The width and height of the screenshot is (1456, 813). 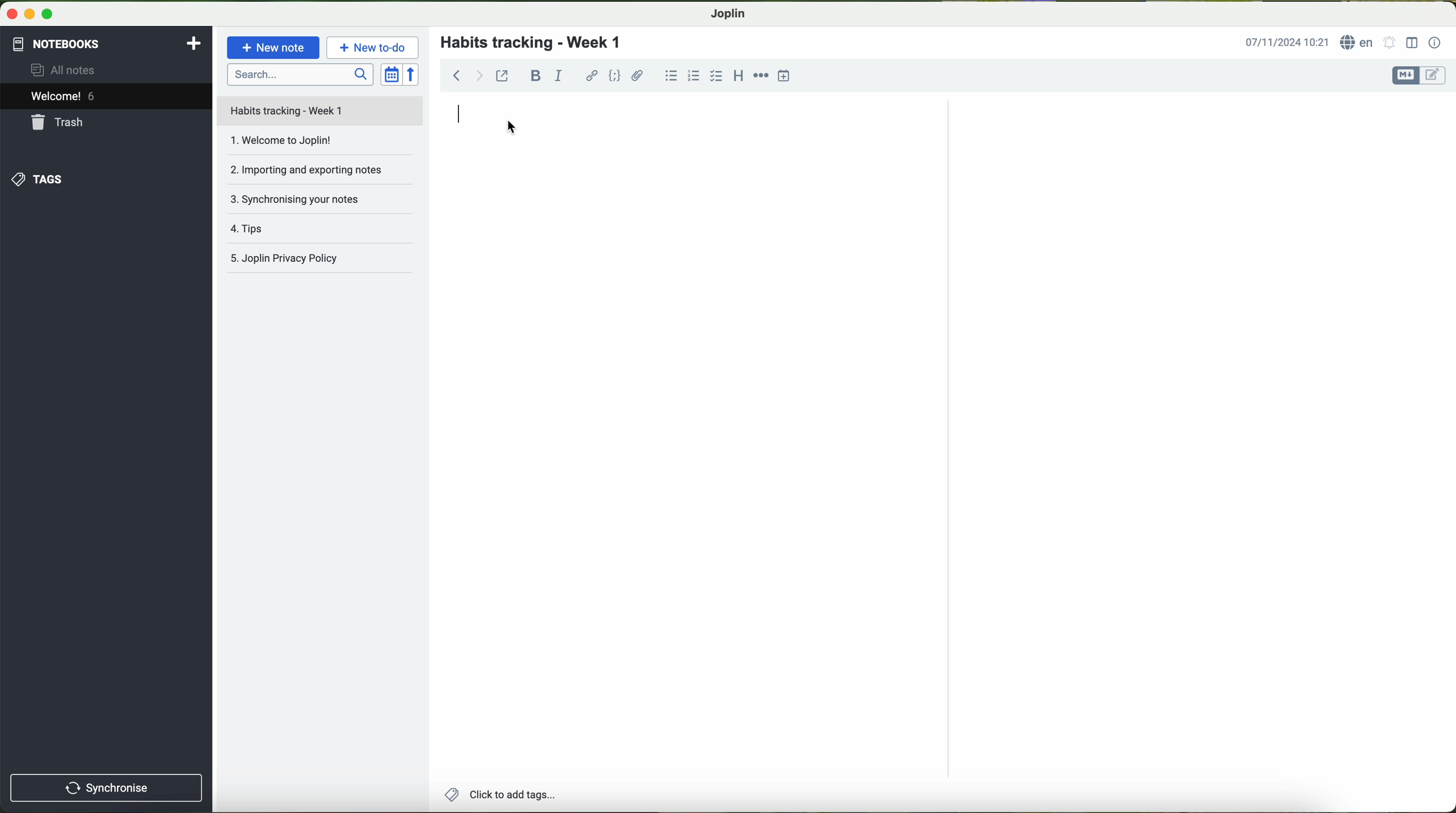 I want to click on toggle sort order field, so click(x=391, y=74).